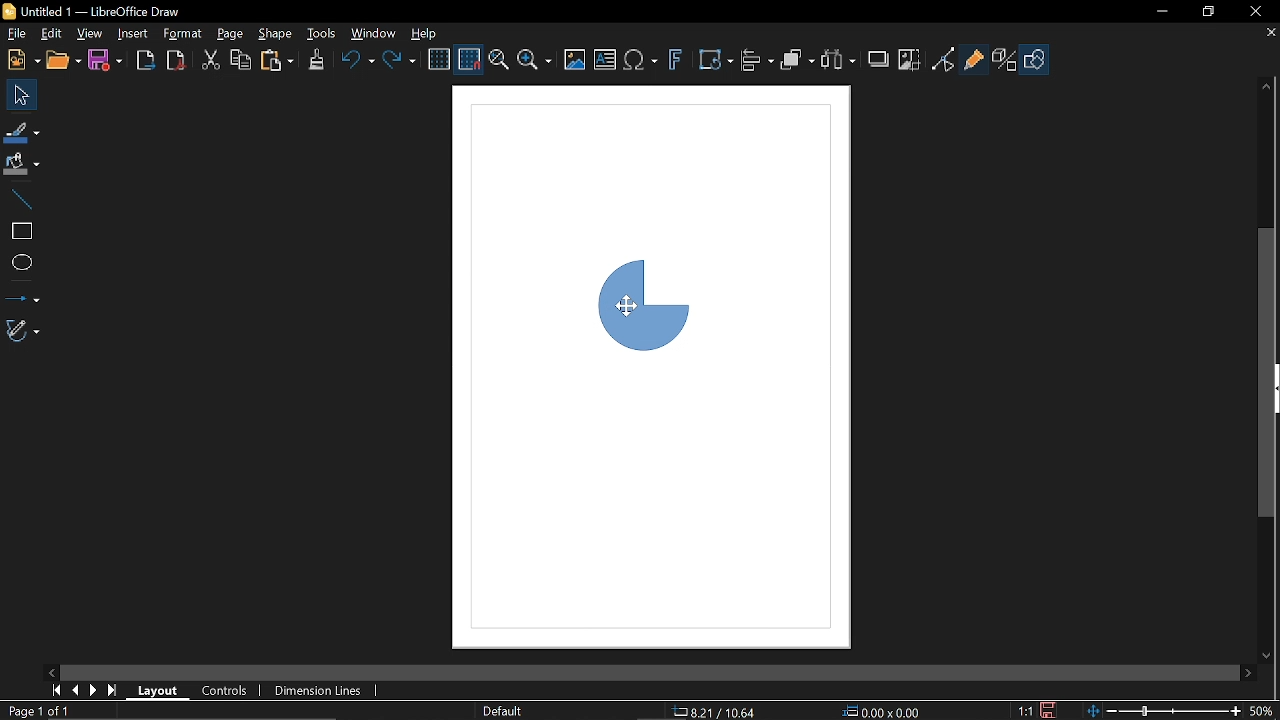 This screenshot has width=1280, height=720. What do you see at coordinates (356, 62) in the screenshot?
I see `Undo` at bounding box center [356, 62].